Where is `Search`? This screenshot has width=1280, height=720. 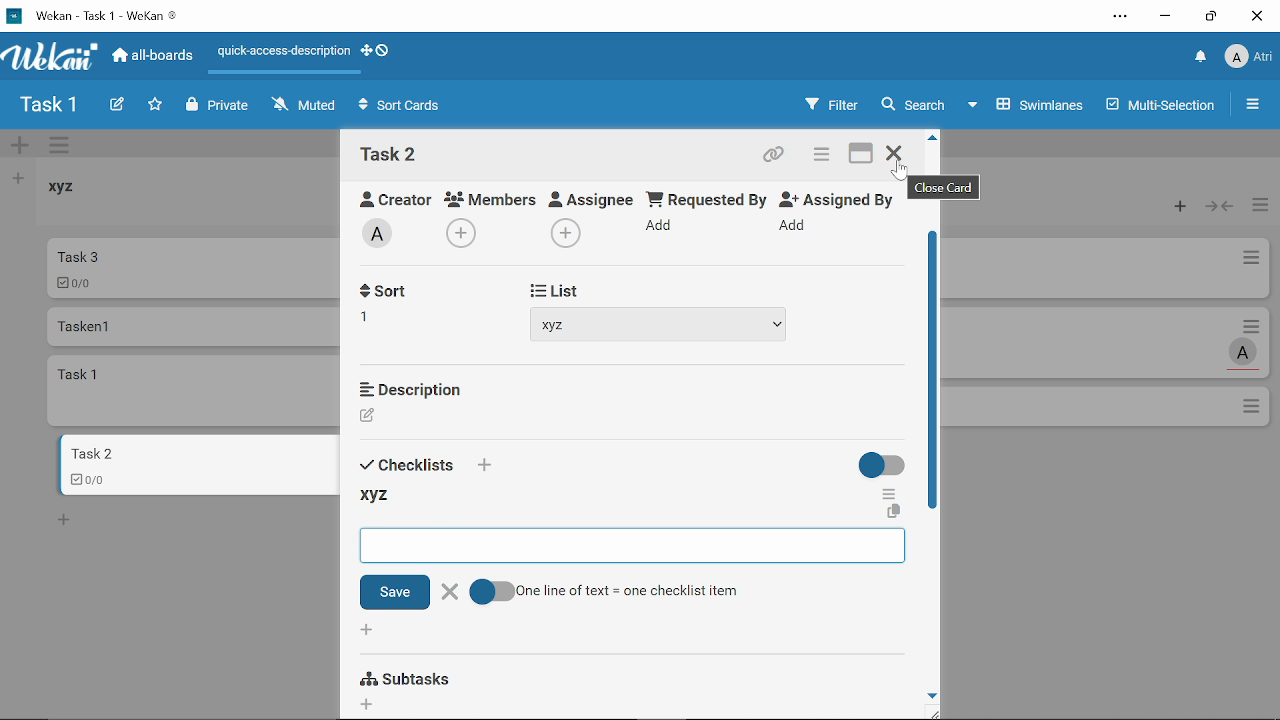 Search is located at coordinates (912, 105).